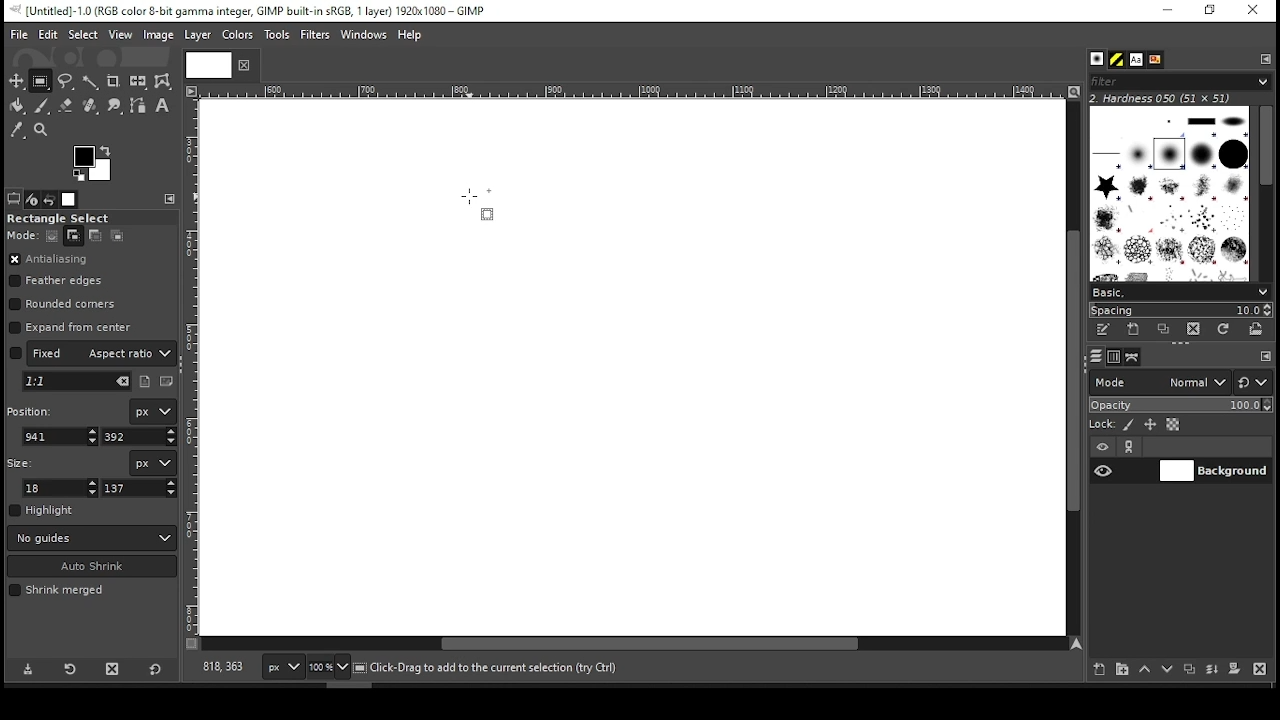 Image resolution: width=1280 pixels, height=720 pixels. I want to click on x, so click(61, 436).